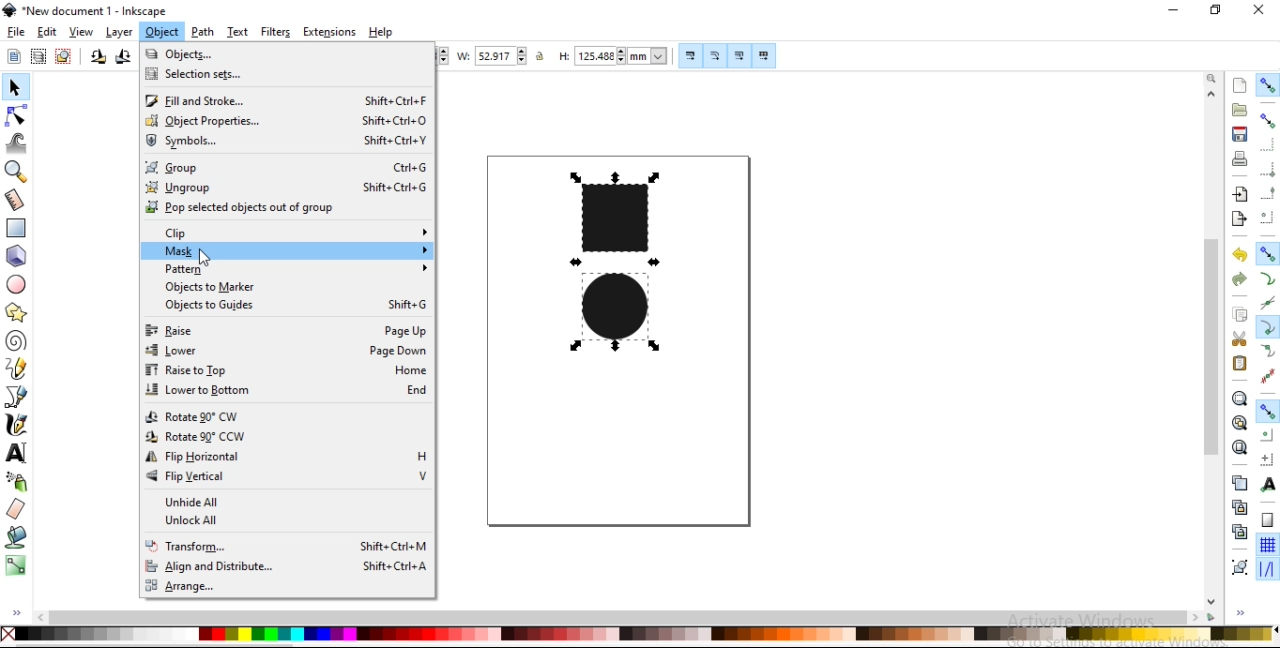 The image size is (1280, 648). What do you see at coordinates (1239, 399) in the screenshot?
I see `zoom to fit selection` at bounding box center [1239, 399].